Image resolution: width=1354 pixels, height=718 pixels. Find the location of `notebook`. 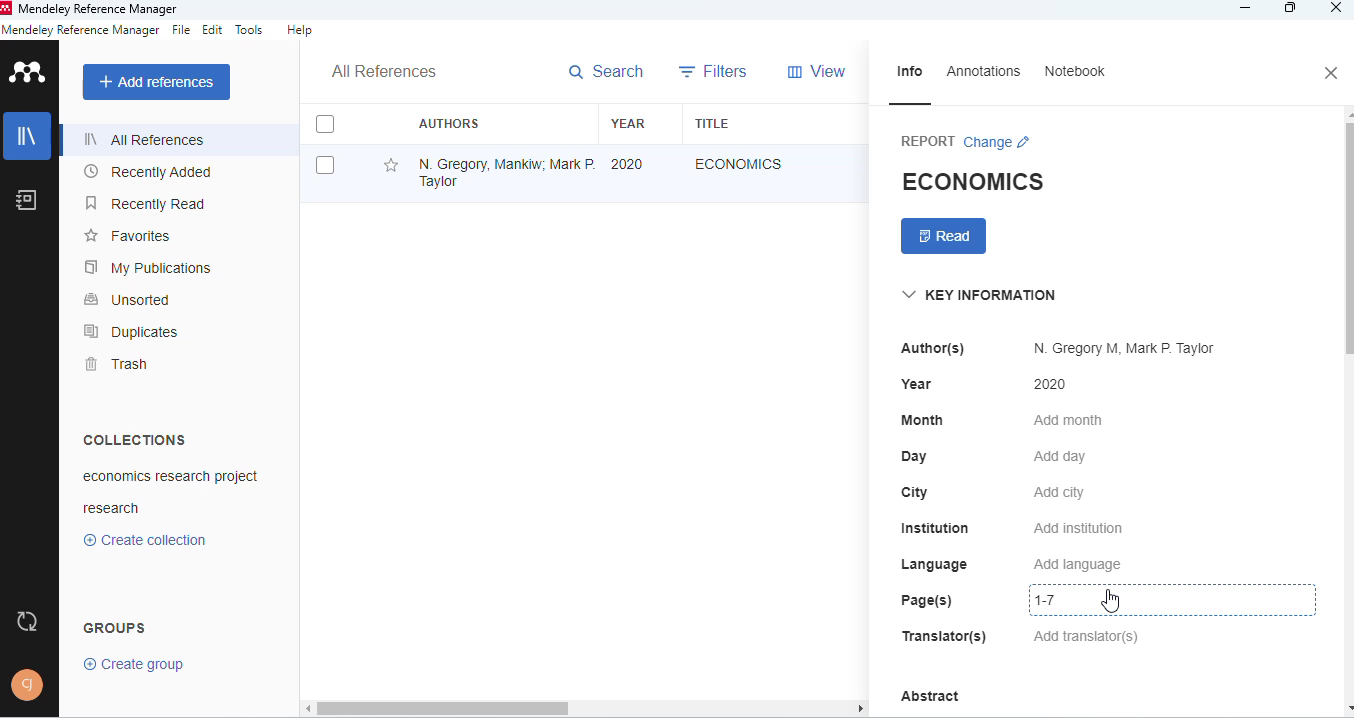

notebook is located at coordinates (25, 200).